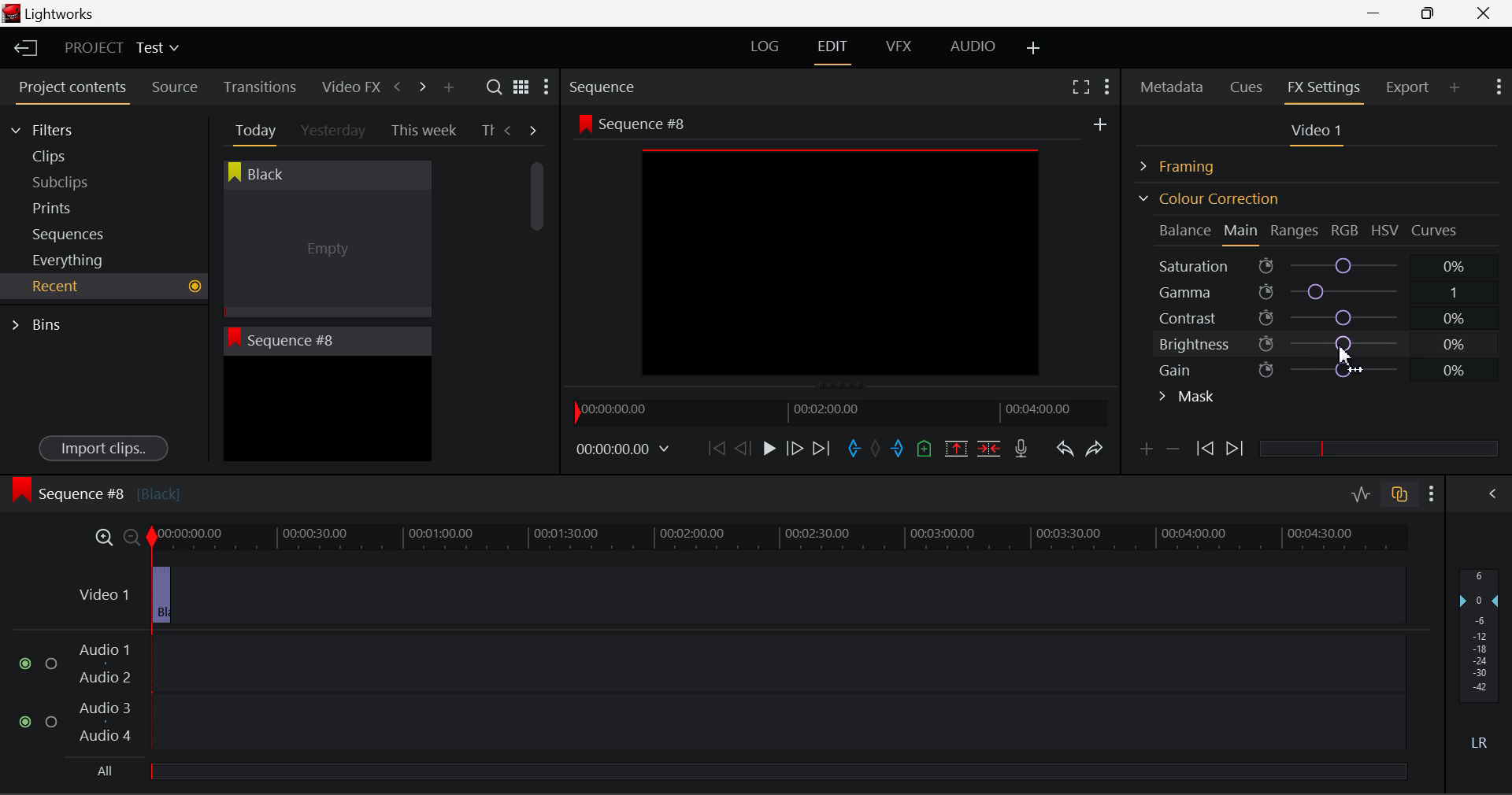 The height and width of the screenshot is (795, 1512). What do you see at coordinates (260, 87) in the screenshot?
I see `Transitions` at bounding box center [260, 87].